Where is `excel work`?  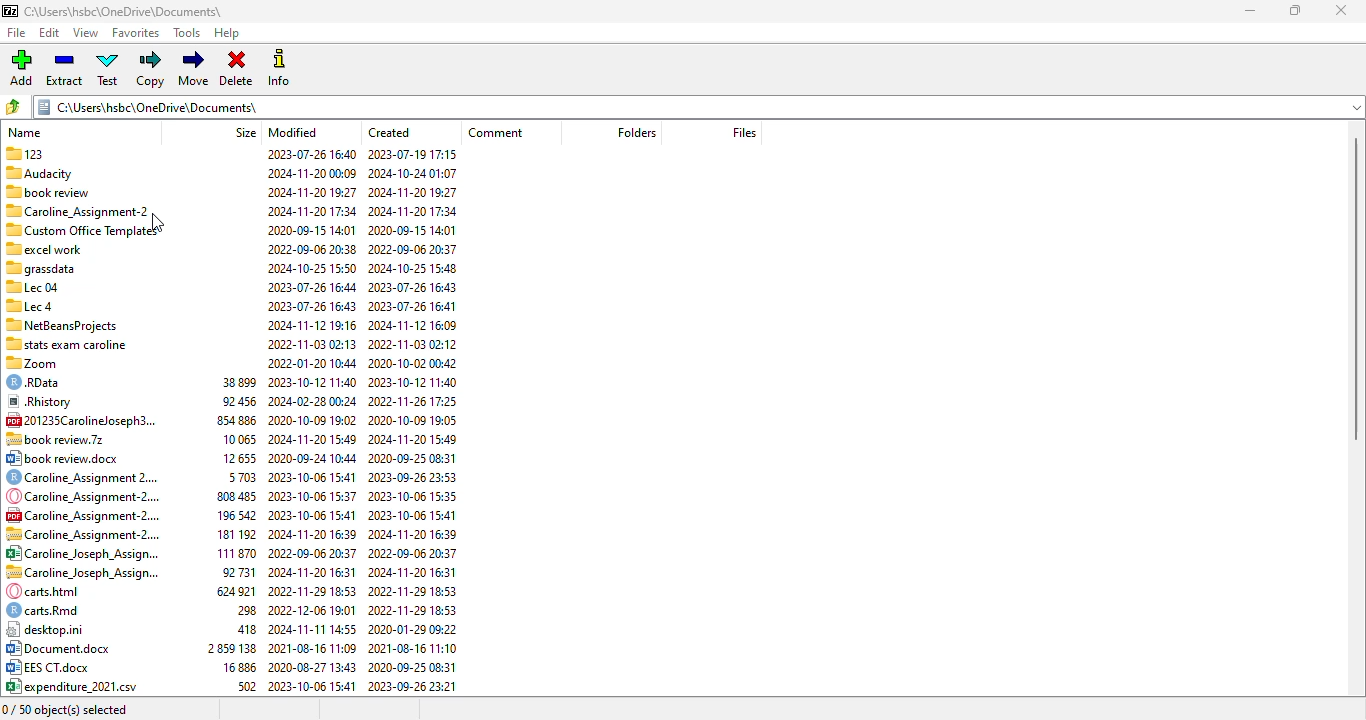
excel work is located at coordinates (46, 249).